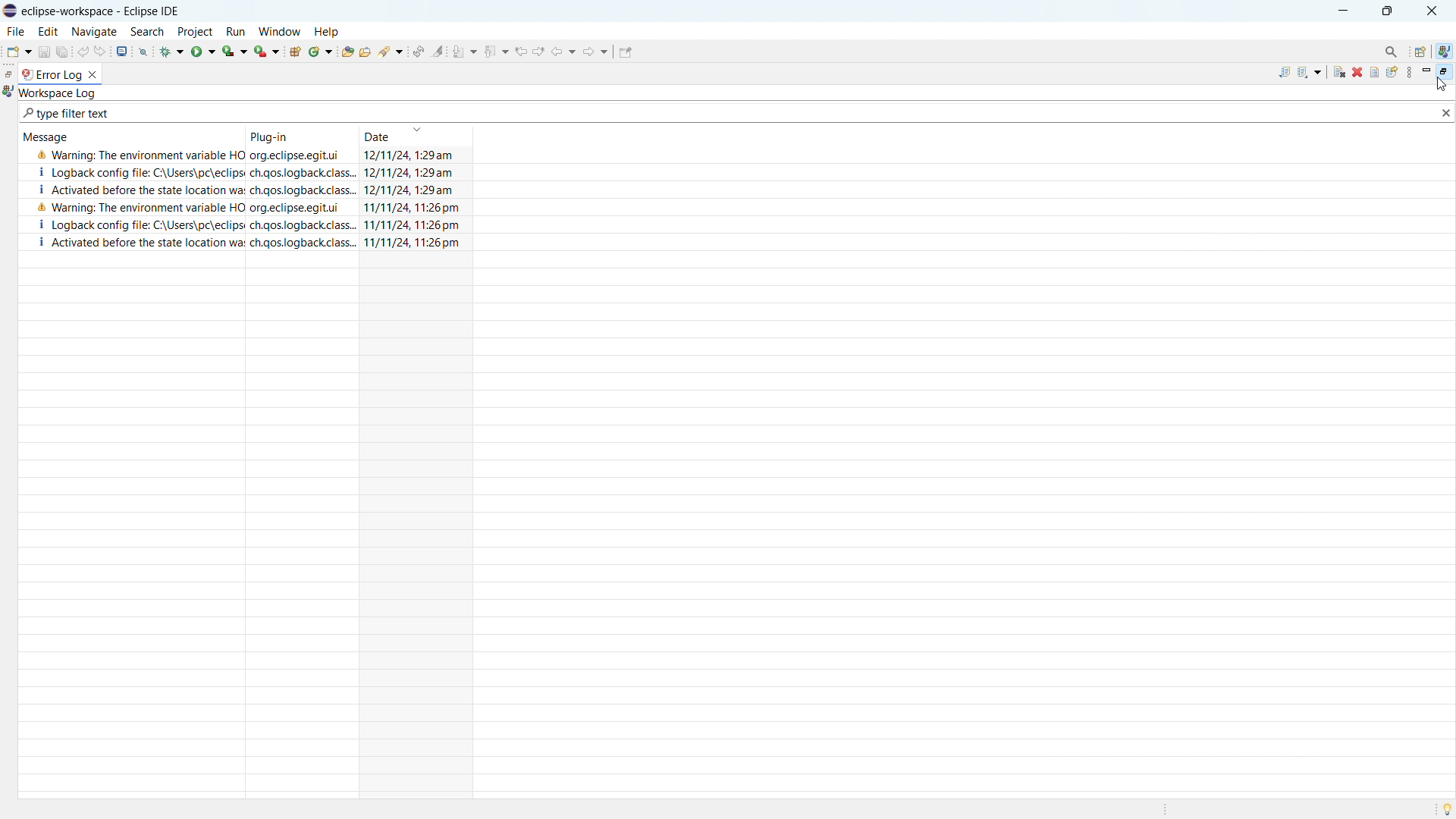  Describe the element at coordinates (413, 206) in the screenshot. I see `11/11/24, 11:26pm` at that location.